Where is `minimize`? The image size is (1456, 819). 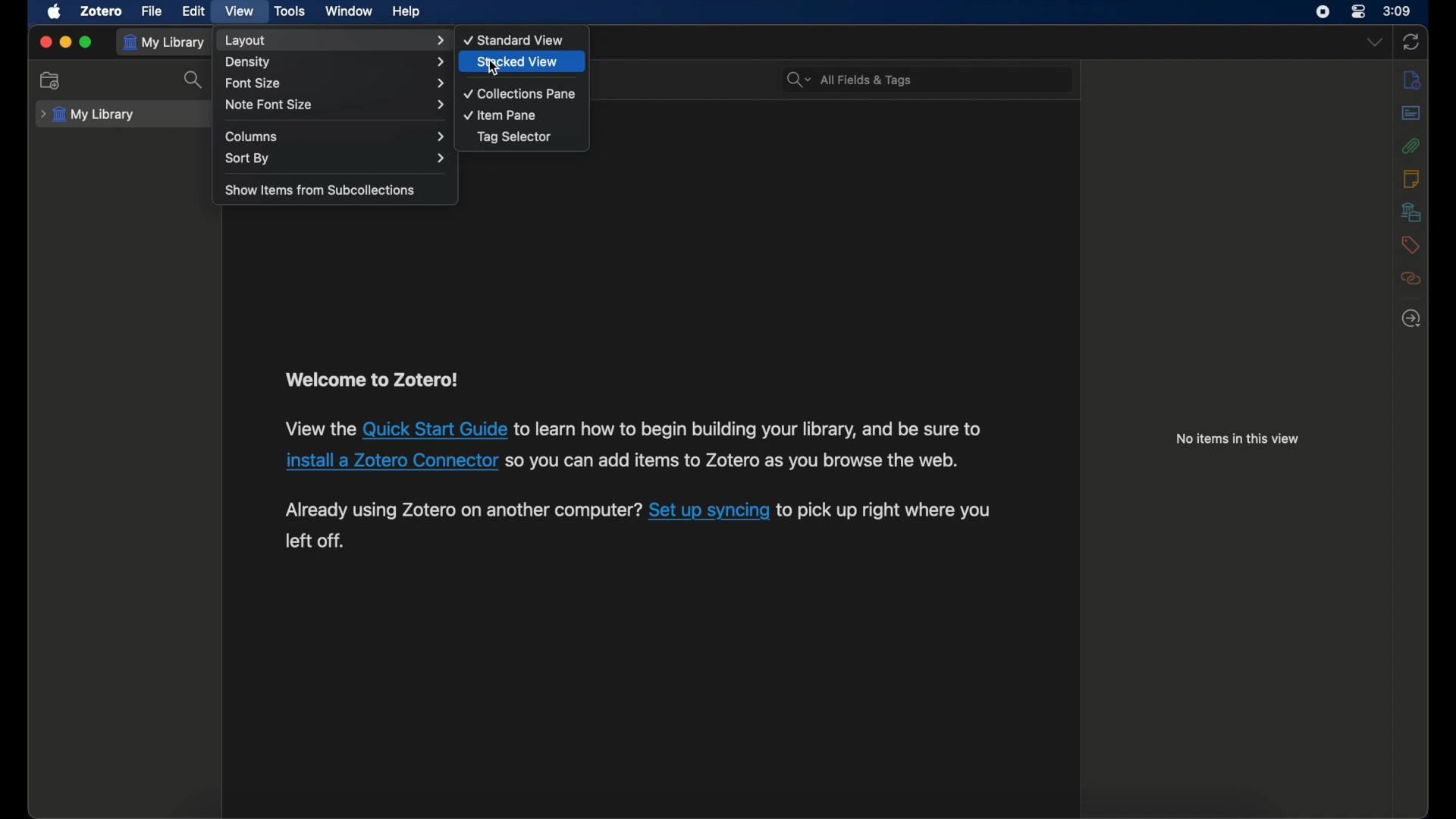
minimize is located at coordinates (67, 41).